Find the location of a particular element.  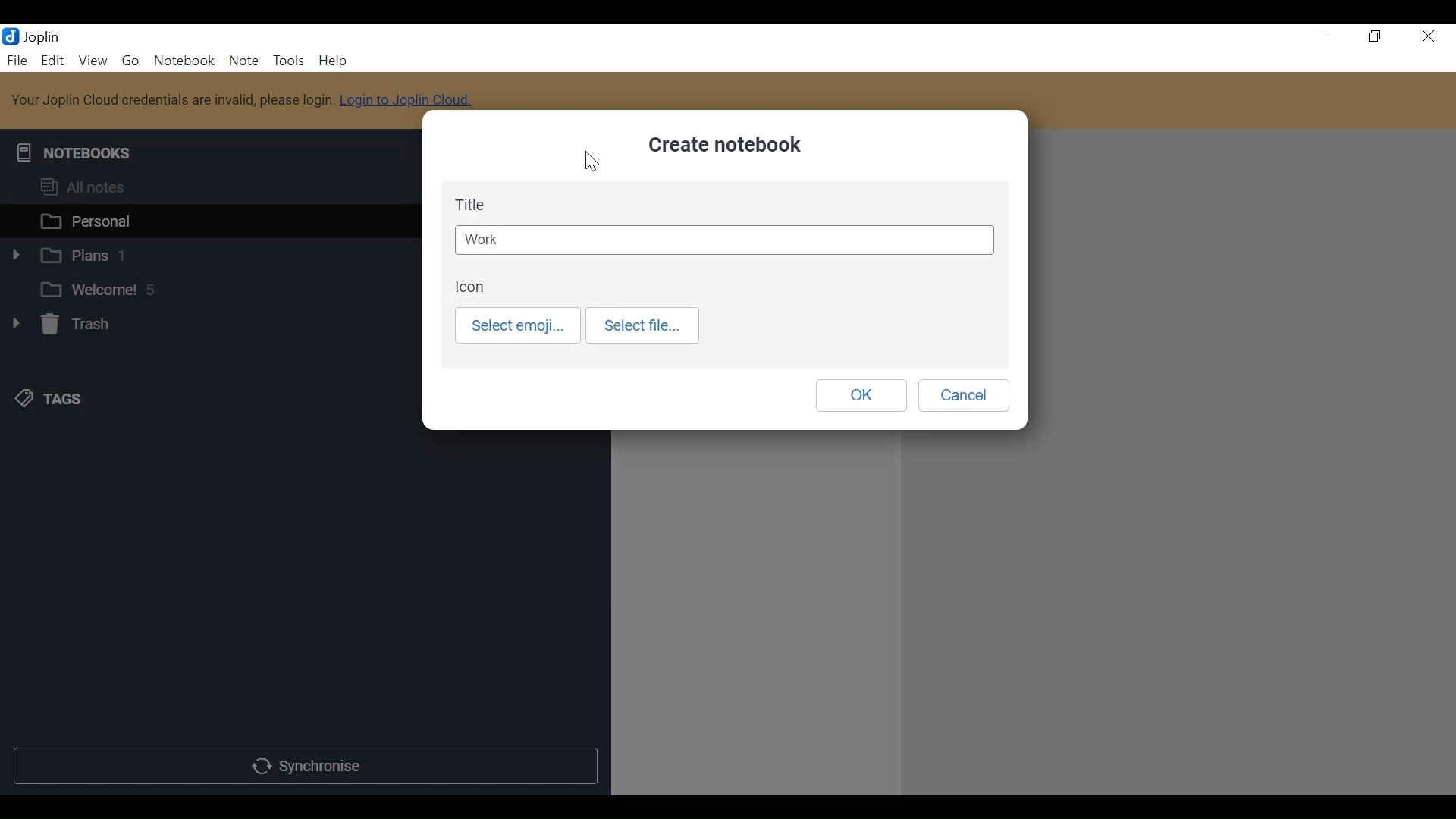

Work  is located at coordinates (725, 240).